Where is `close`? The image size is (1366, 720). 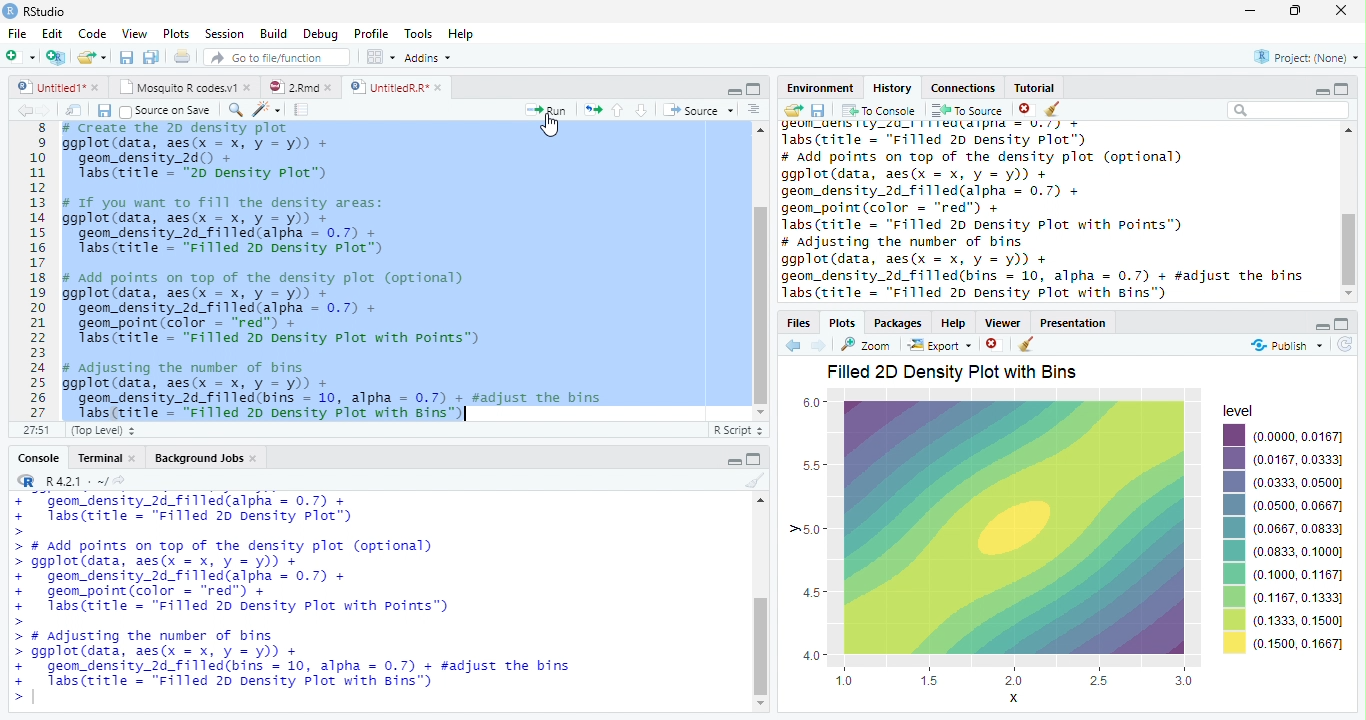
close is located at coordinates (1026, 110).